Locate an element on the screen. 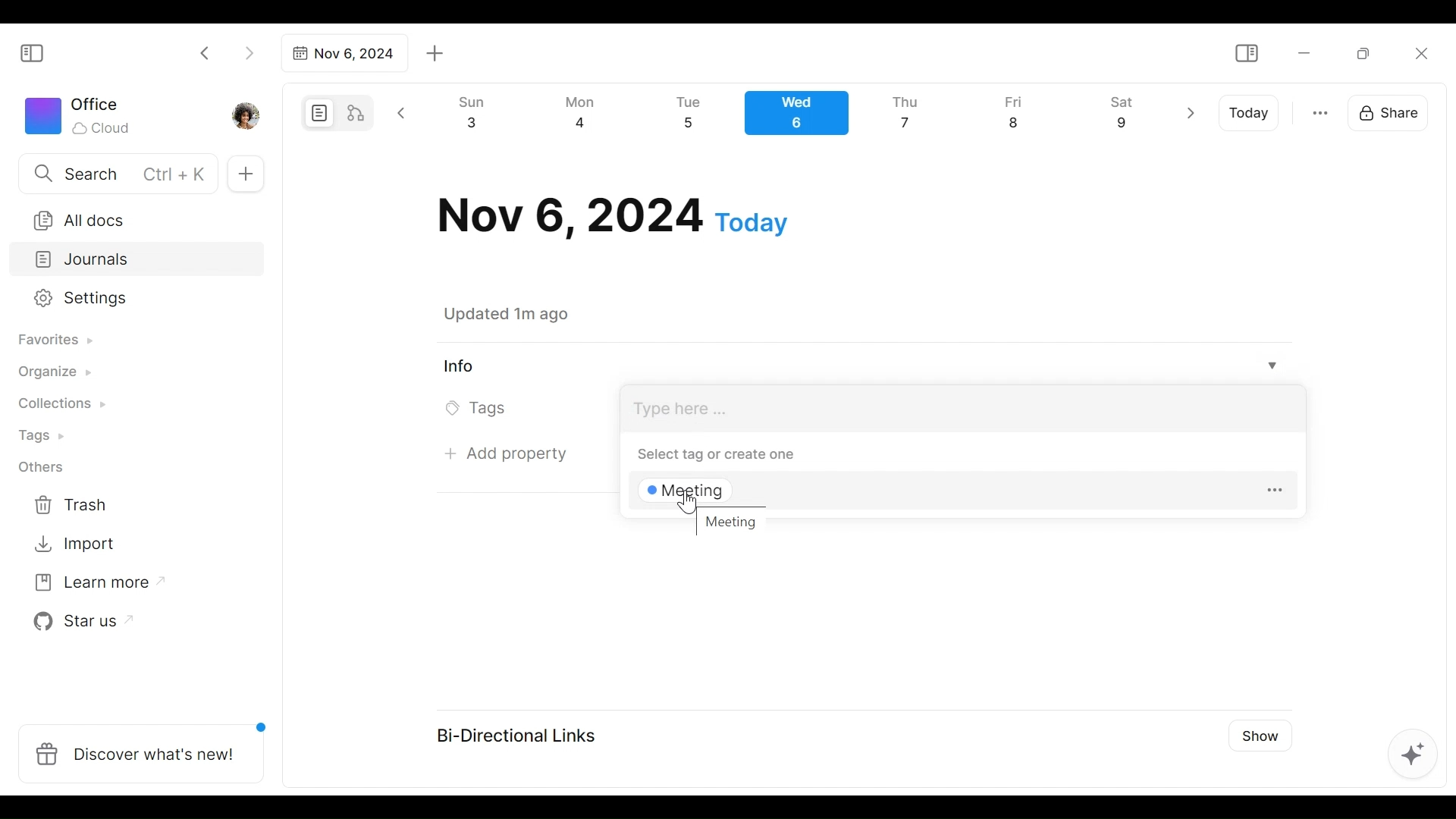 The image size is (1456, 819). Settings is located at coordinates (125, 299).